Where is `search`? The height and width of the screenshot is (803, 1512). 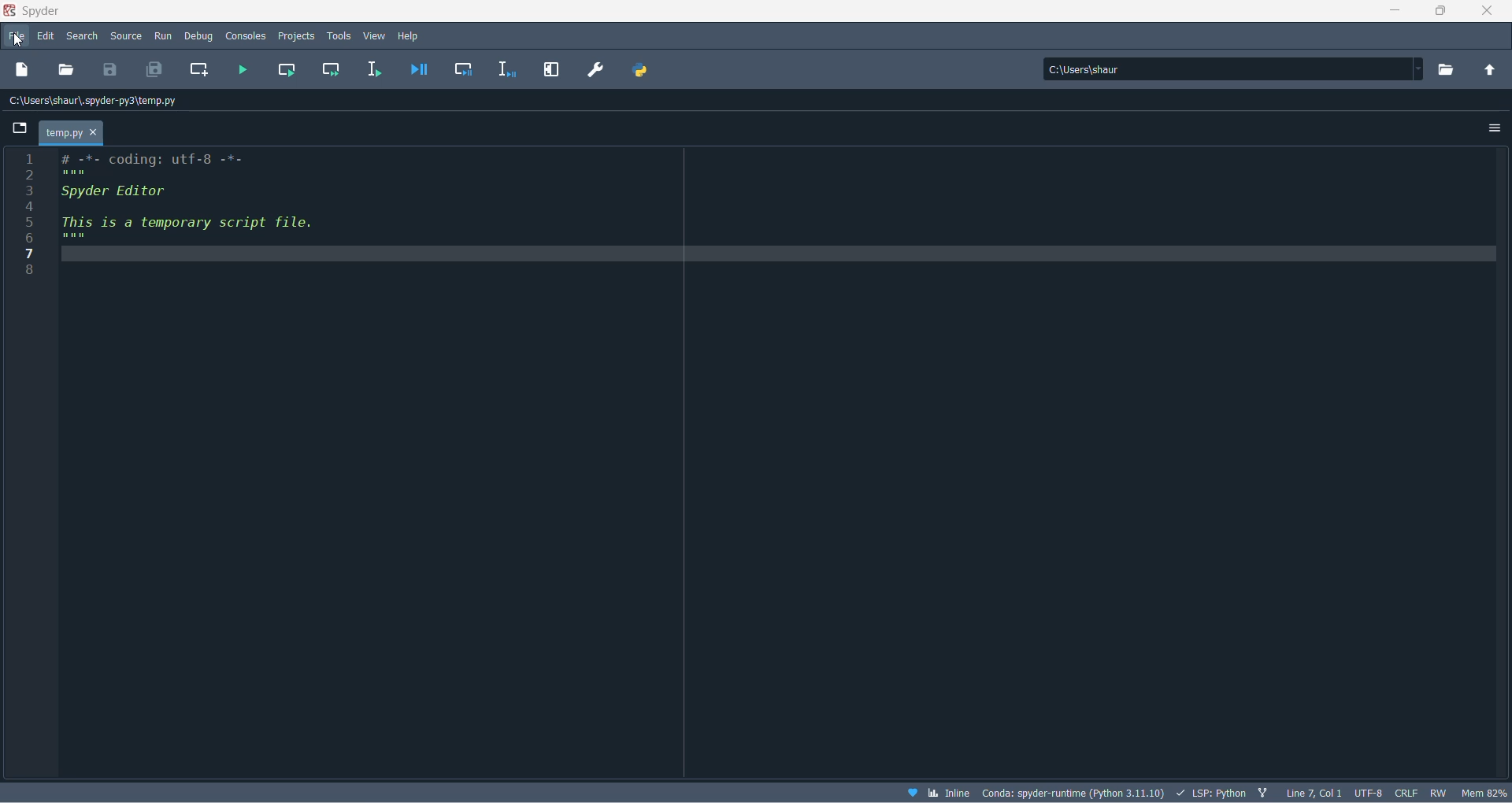 search is located at coordinates (82, 39).